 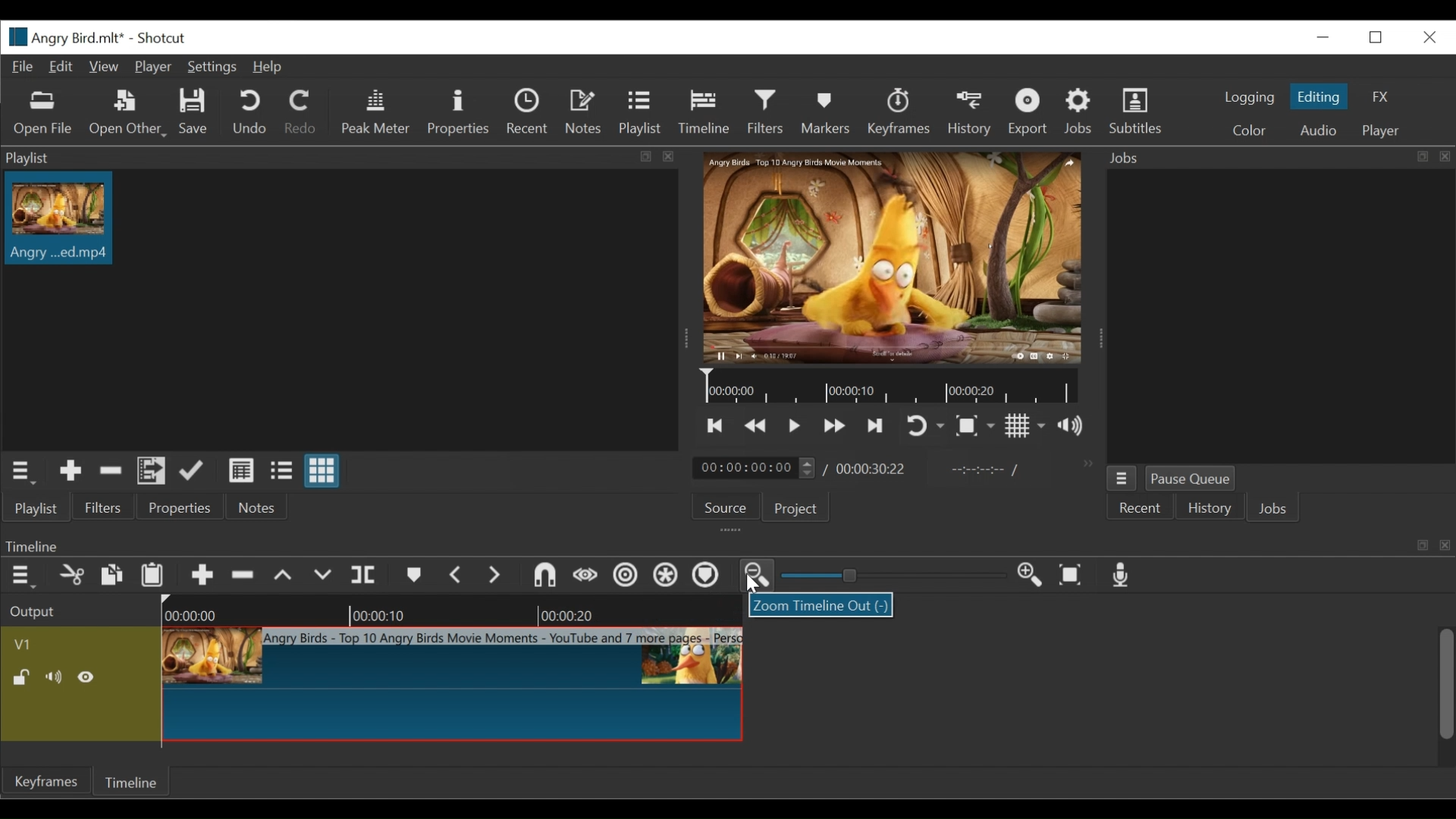 What do you see at coordinates (527, 111) in the screenshot?
I see `Recent` at bounding box center [527, 111].